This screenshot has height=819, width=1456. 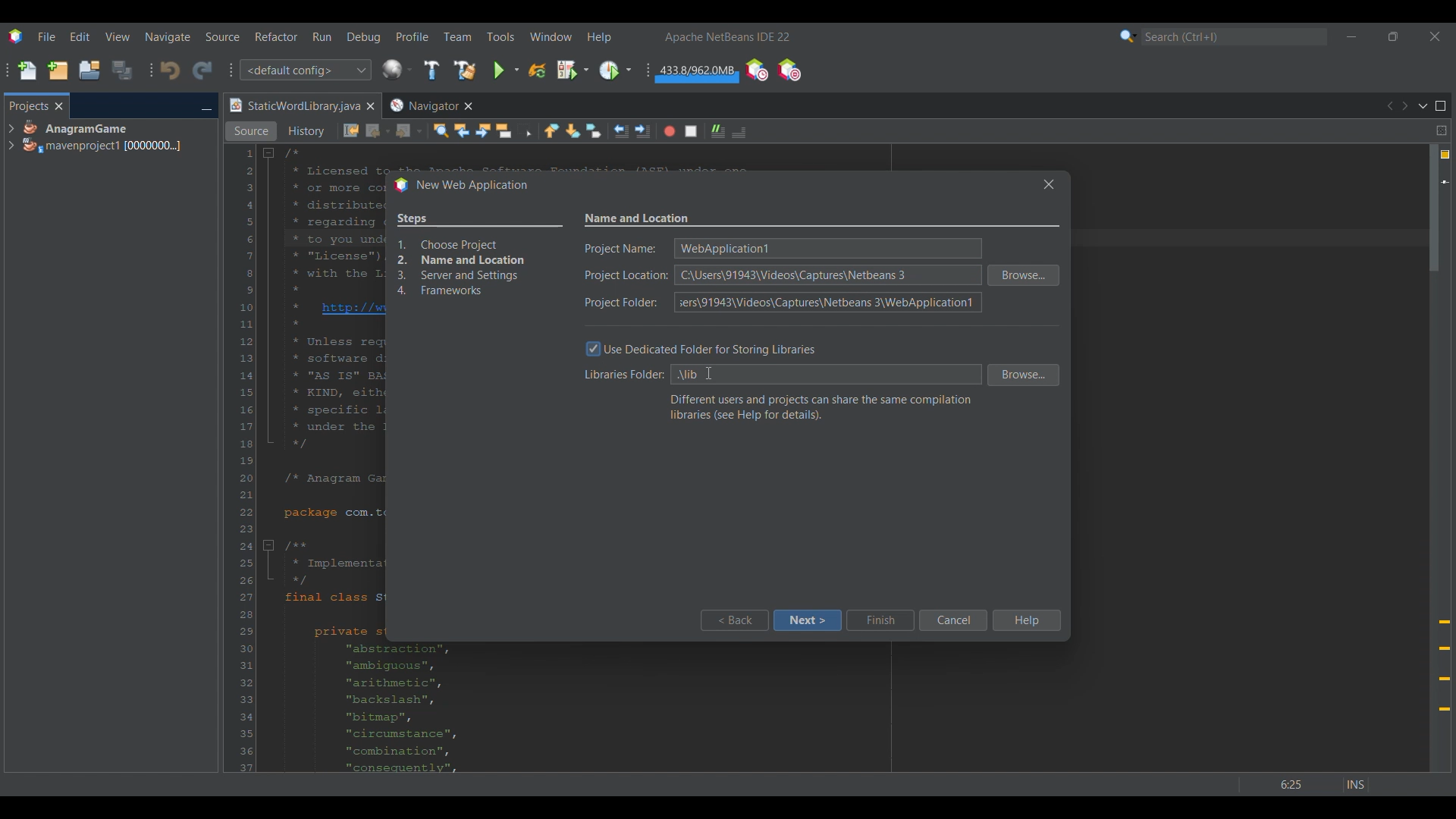 What do you see at coordinates (706, 374) in the screenshot?
I see `` at bounding box center [706, 374].